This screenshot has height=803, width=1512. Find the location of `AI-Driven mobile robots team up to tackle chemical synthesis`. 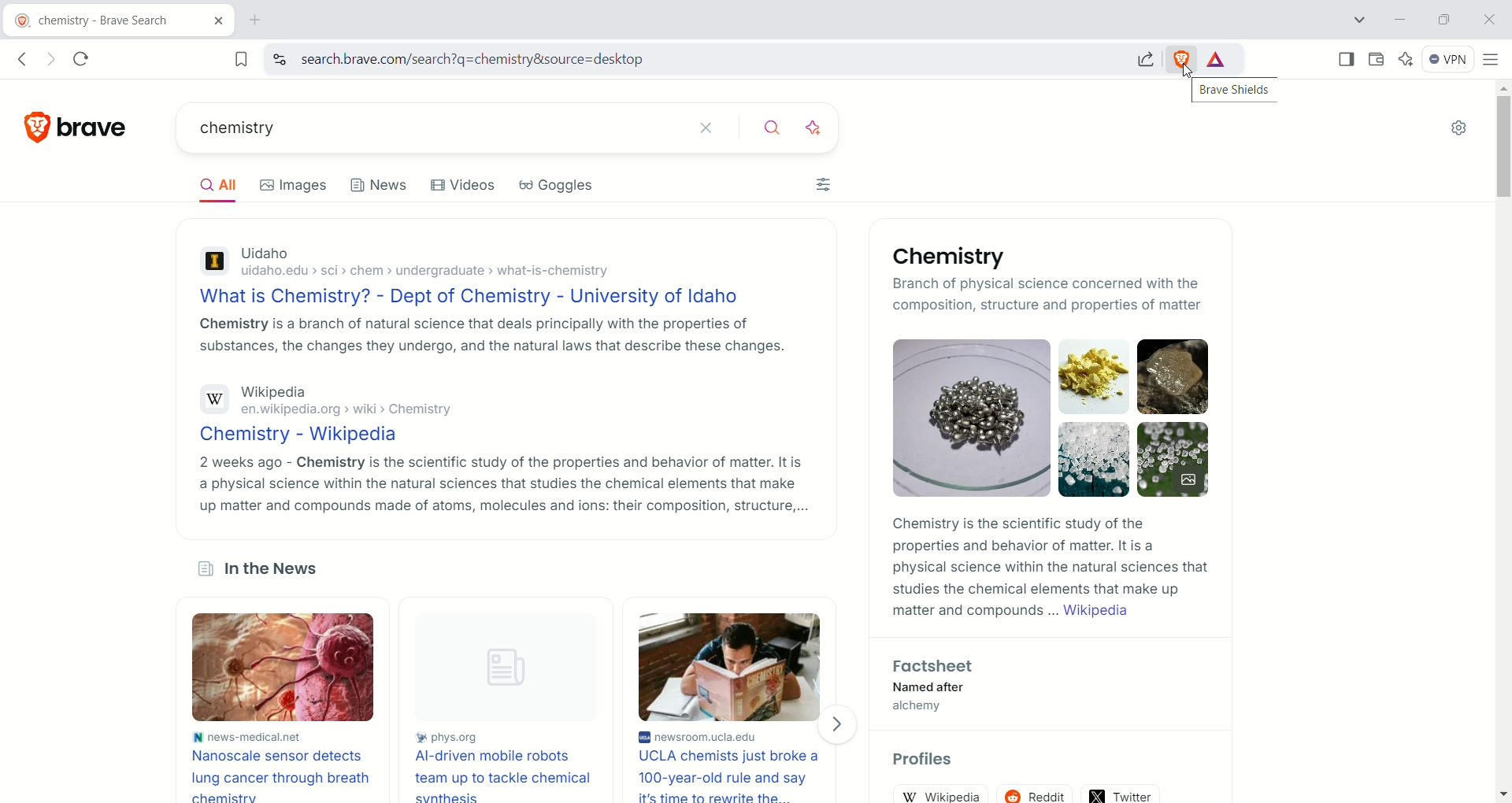

AI-Driven mobile robots team up to tackle chemical synthesis is located at coordinates (502, 775).